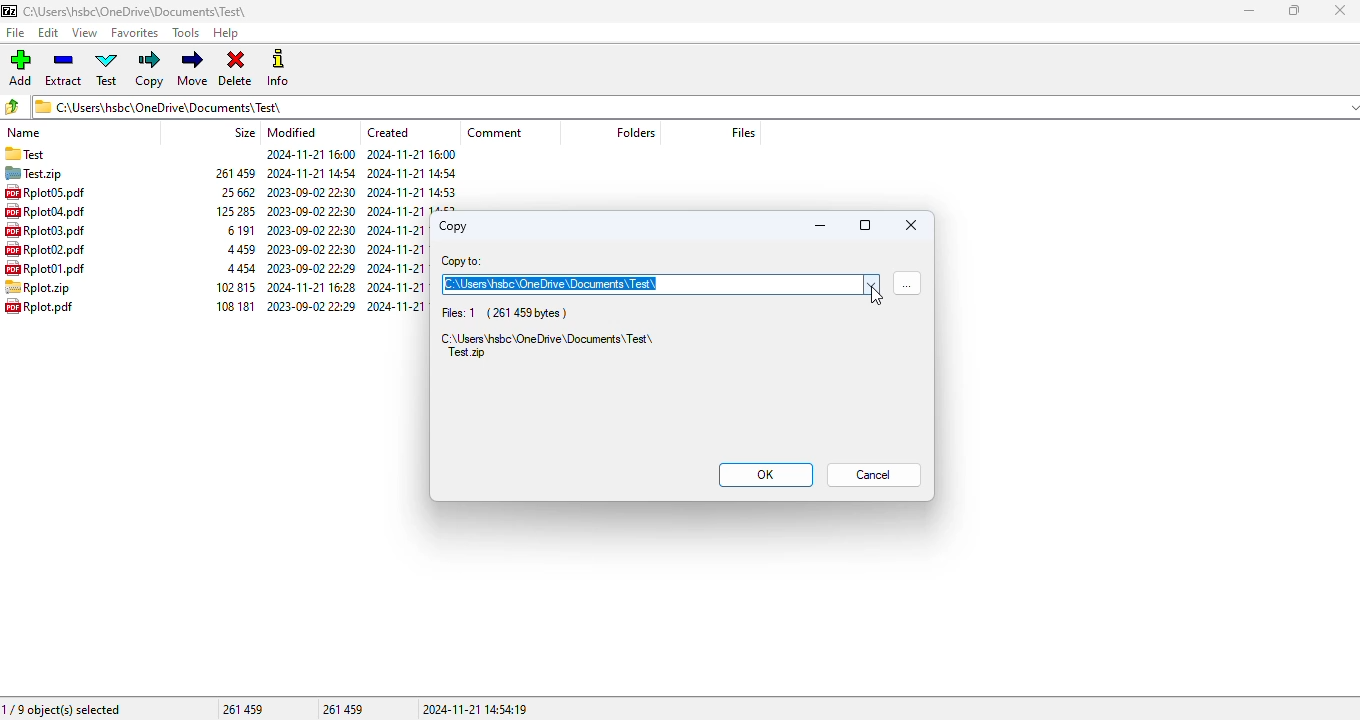 The width and height of the screenshot is (1360, 720). Describe the element at coordinates (311, 230) in the screenshot. I see `modified date & time` at that location.